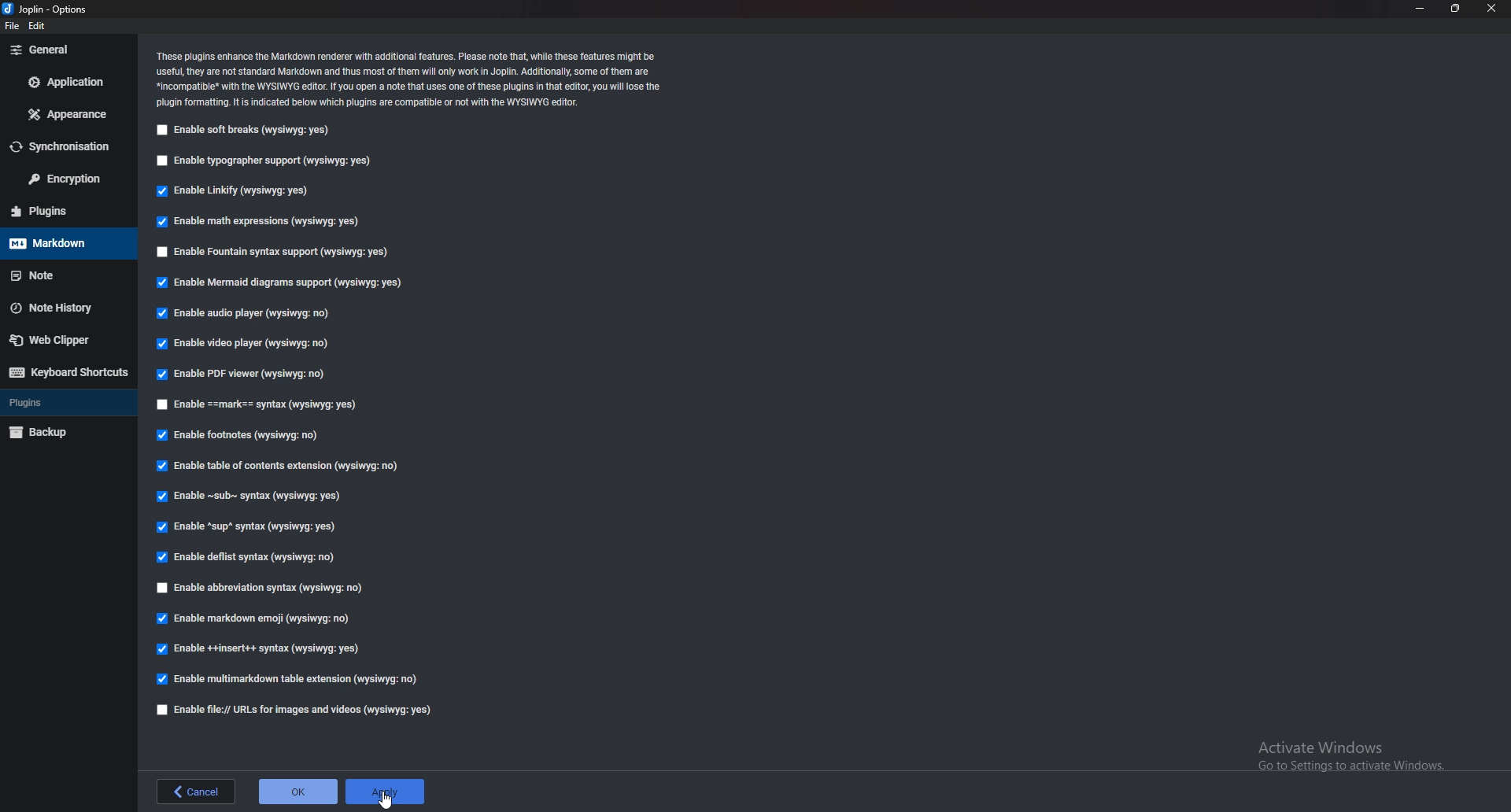 This screenshot has width=1511, height=812. Describe the element at coordinates (197, 792) in the screenshot. I see `back` at that location.